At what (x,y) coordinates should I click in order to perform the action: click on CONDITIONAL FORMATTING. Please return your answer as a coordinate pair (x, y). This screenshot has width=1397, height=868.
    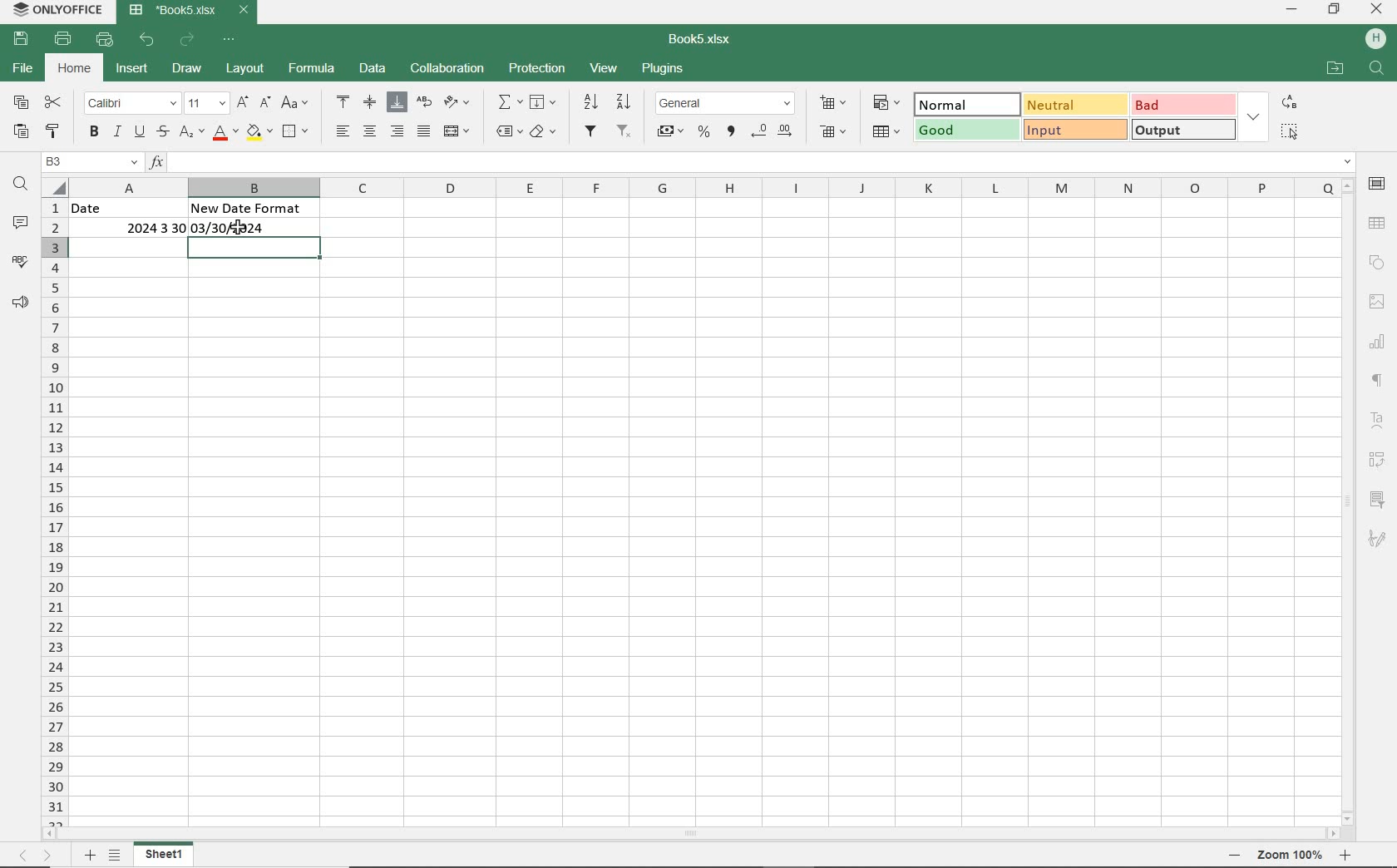
    Looking at the image, I should click on (885, 103).